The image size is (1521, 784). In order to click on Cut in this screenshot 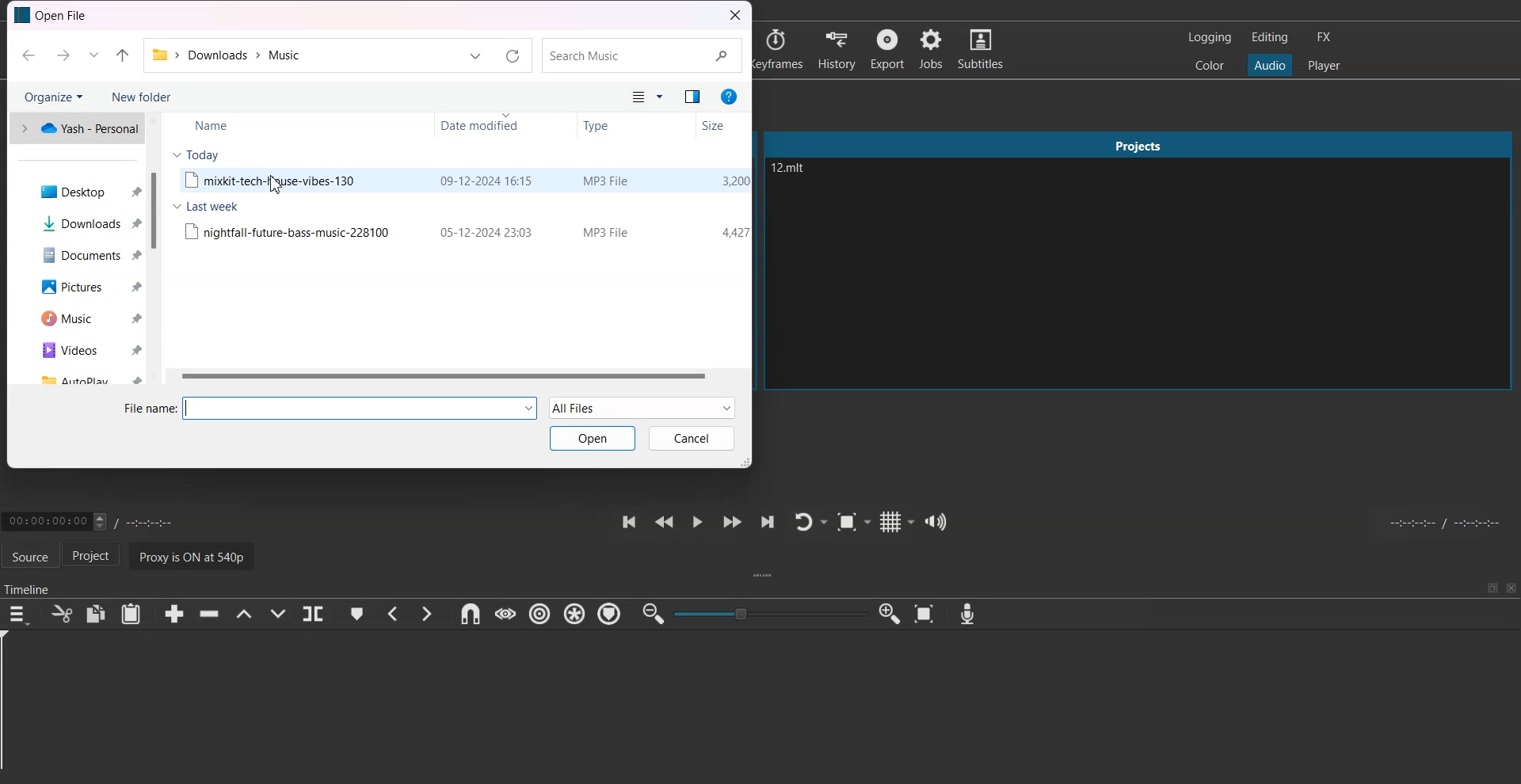, I will do `click(60, 614)`.